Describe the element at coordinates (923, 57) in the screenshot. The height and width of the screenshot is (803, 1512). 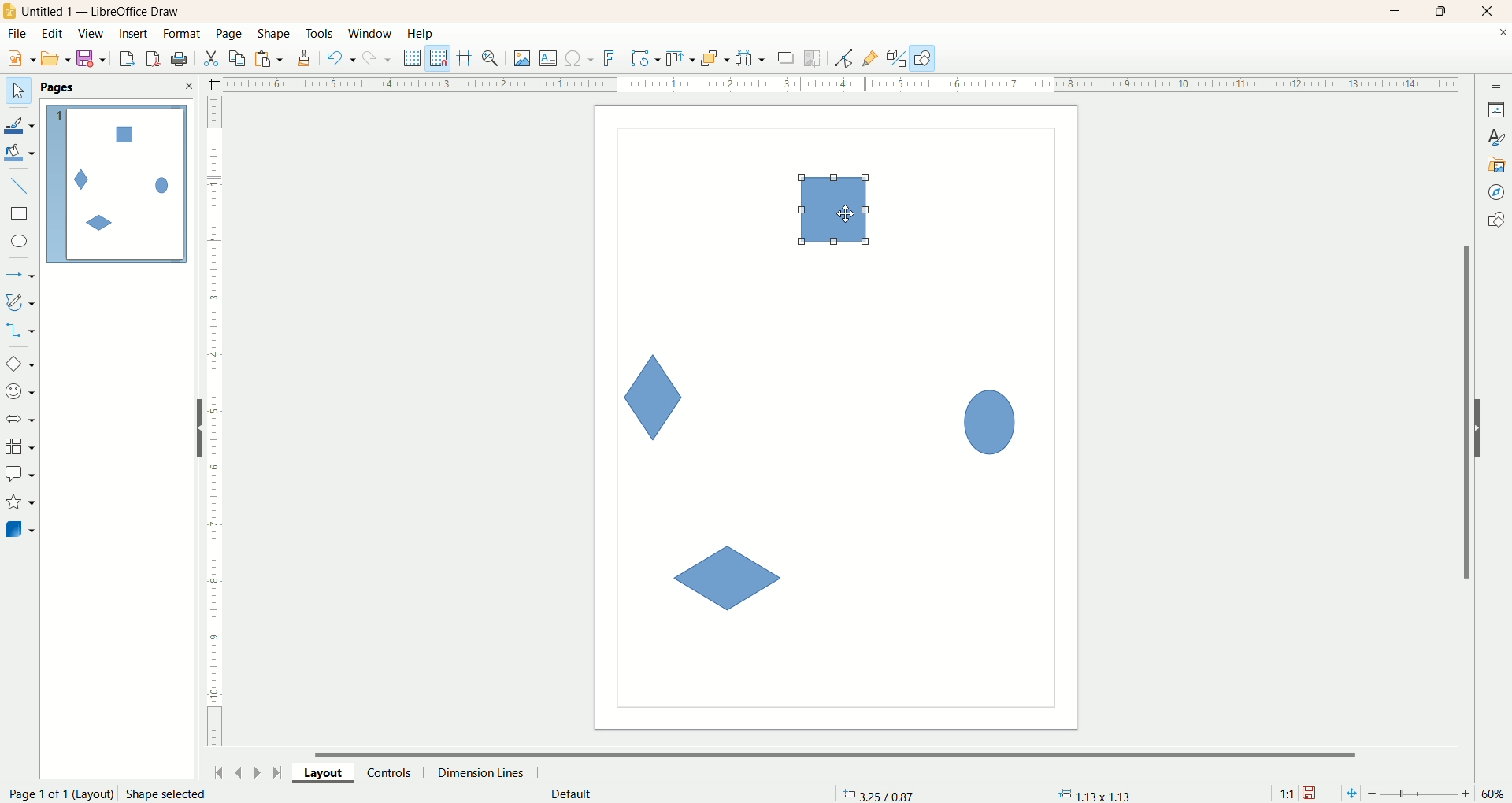
I see `draw function` at that location.